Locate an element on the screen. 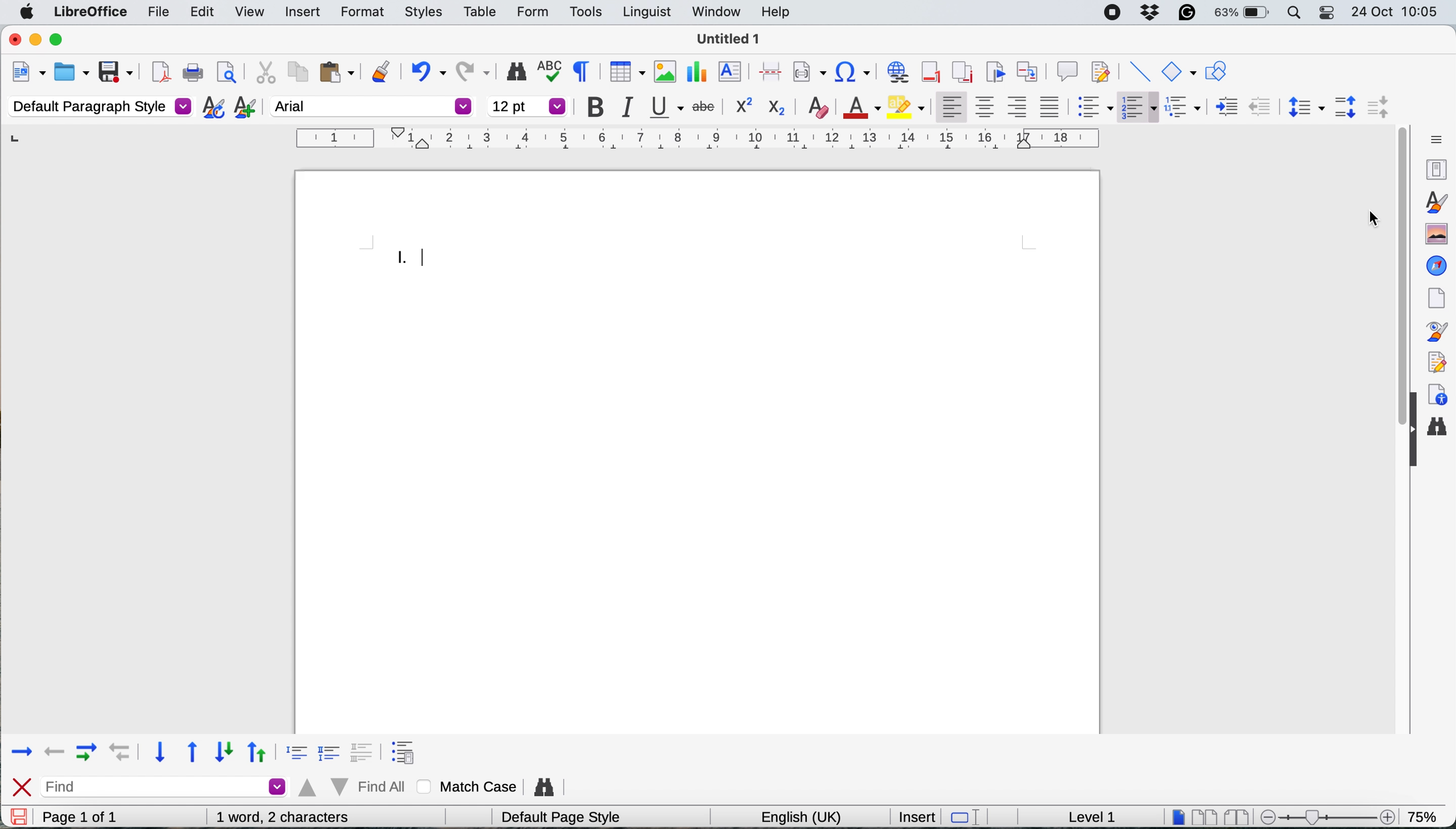 The height and width of the screenshot is (829, 1456). 63% is located at coordinates (1242, 14).